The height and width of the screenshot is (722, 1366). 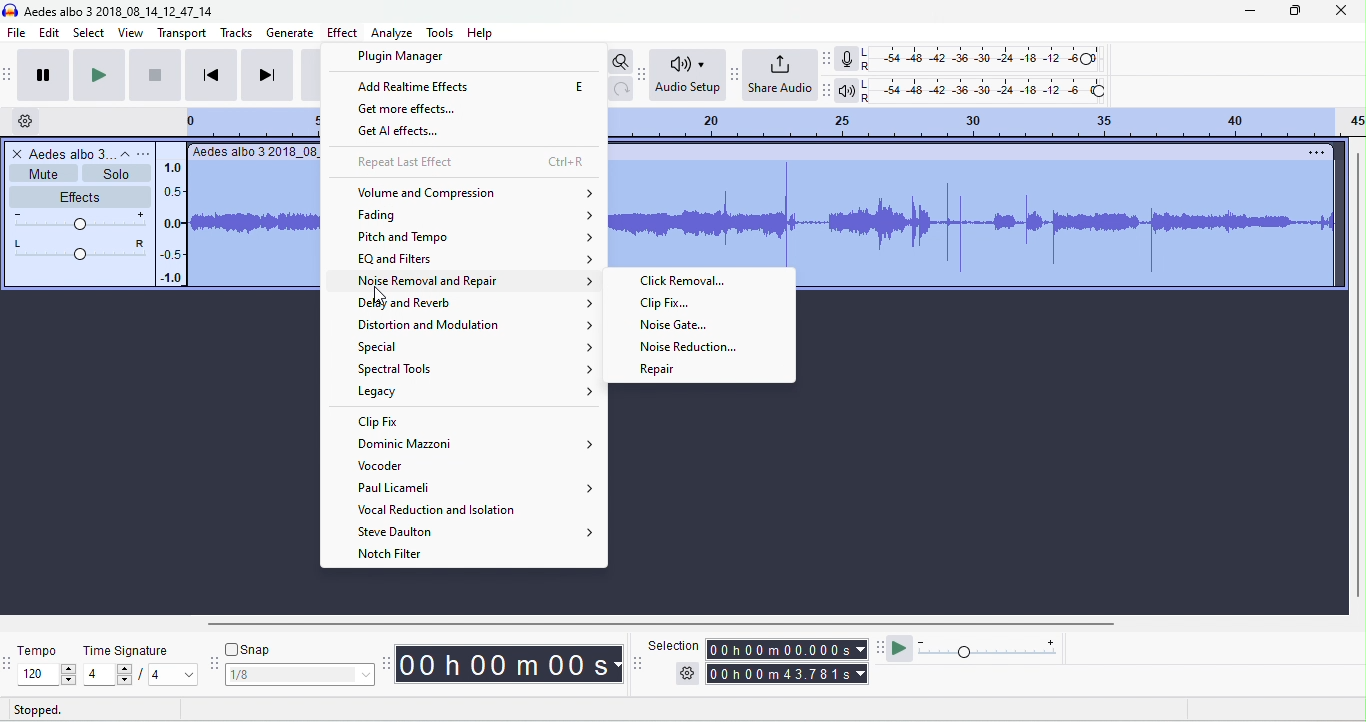 I want to click on view, so click(x=131, y=33).